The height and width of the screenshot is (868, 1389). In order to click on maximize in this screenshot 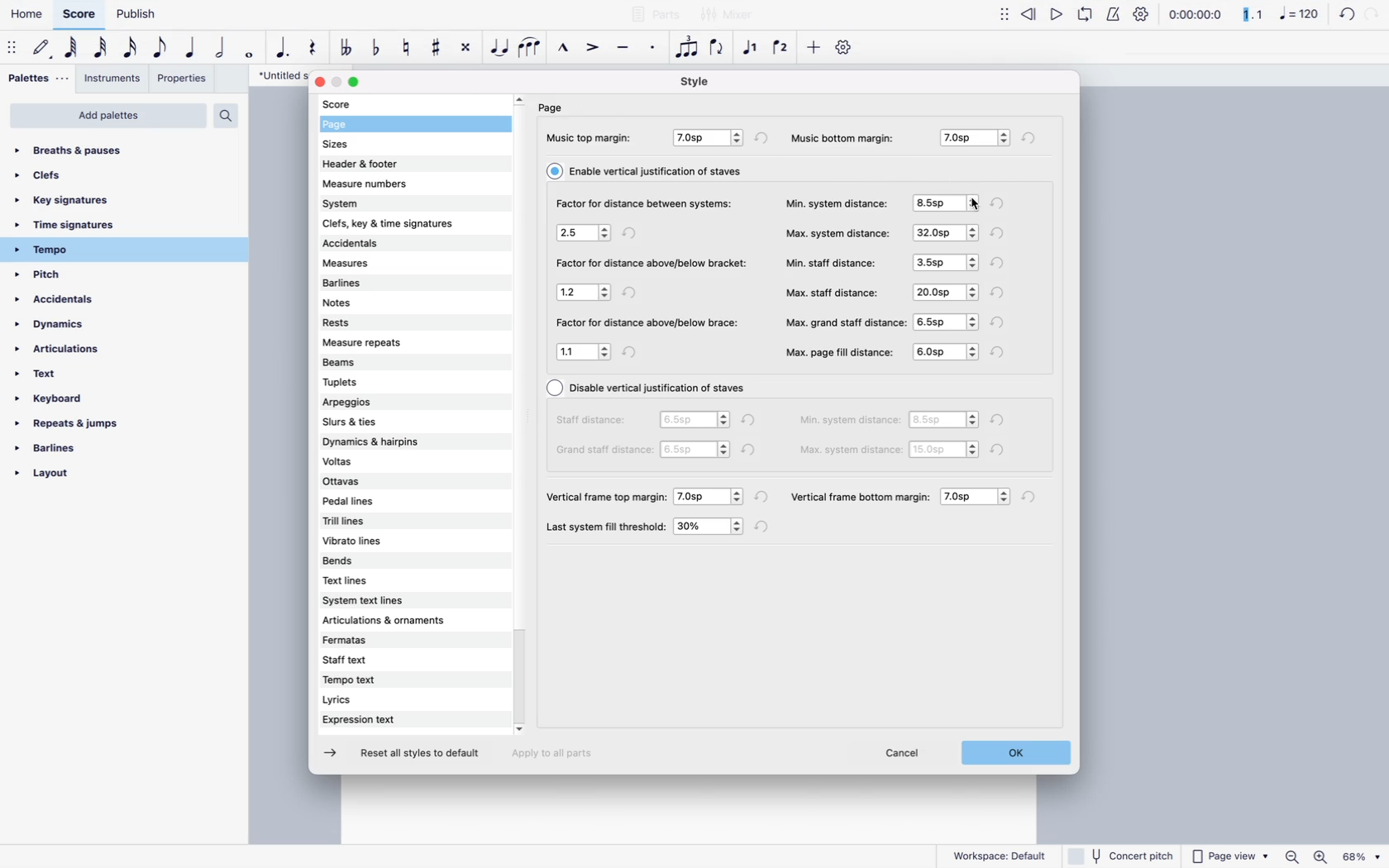, I will do `click(356, 83)`.